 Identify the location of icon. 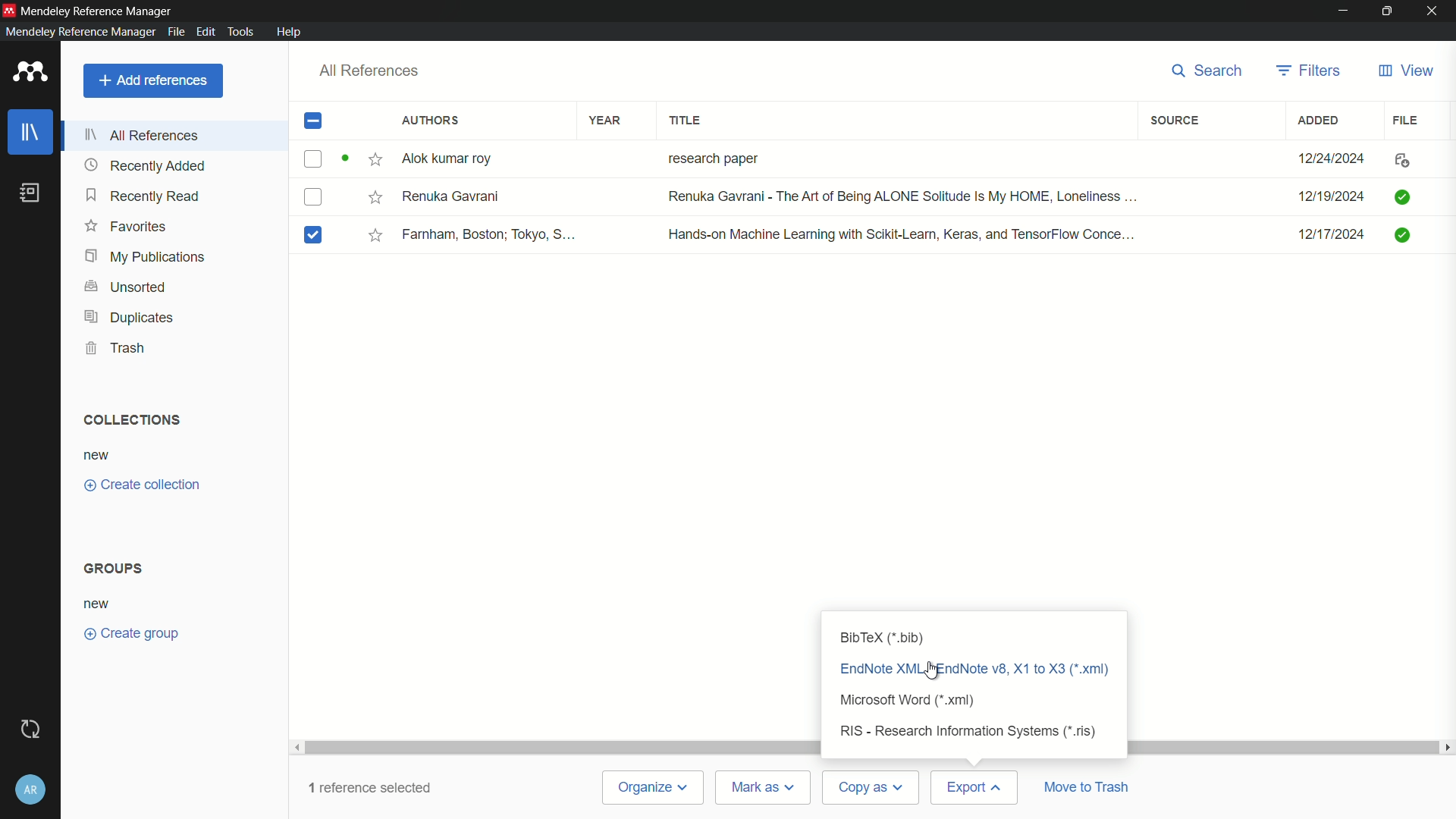
(1401, 160).